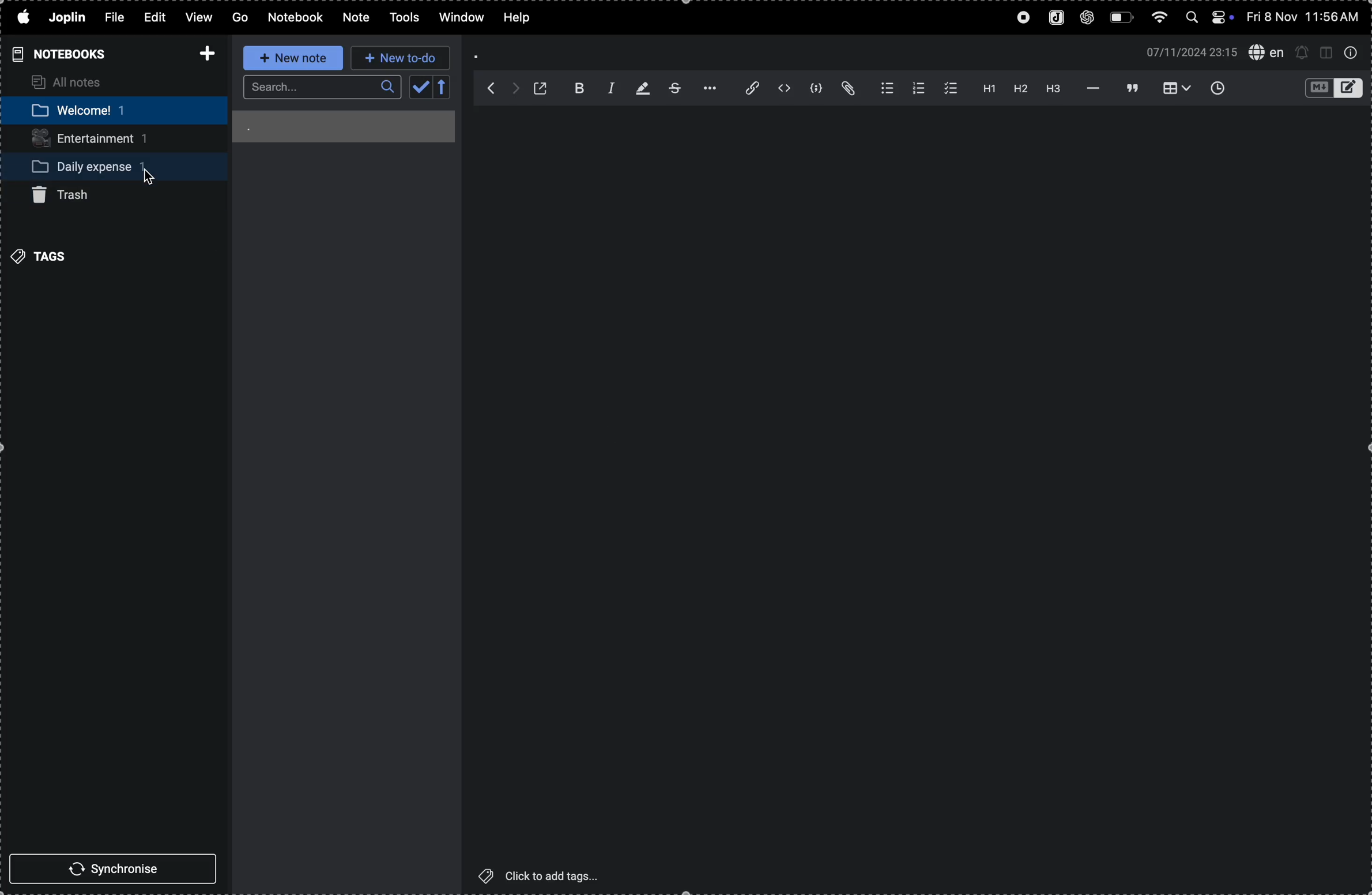 This screenshot has width=1372, height=895. I want to click on notebooks, so click(56, 54).